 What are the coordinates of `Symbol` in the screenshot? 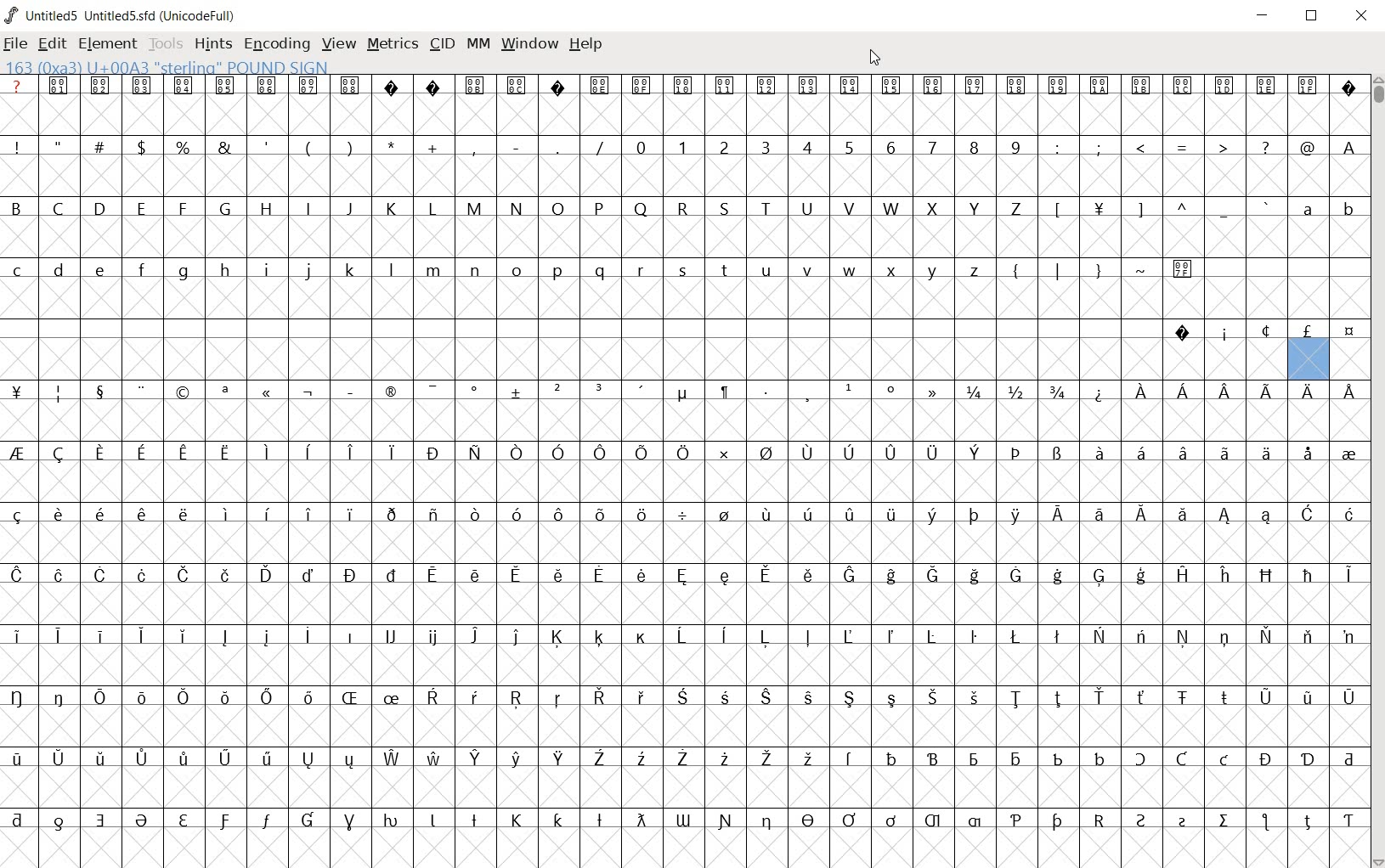 It's located at (142, 577).